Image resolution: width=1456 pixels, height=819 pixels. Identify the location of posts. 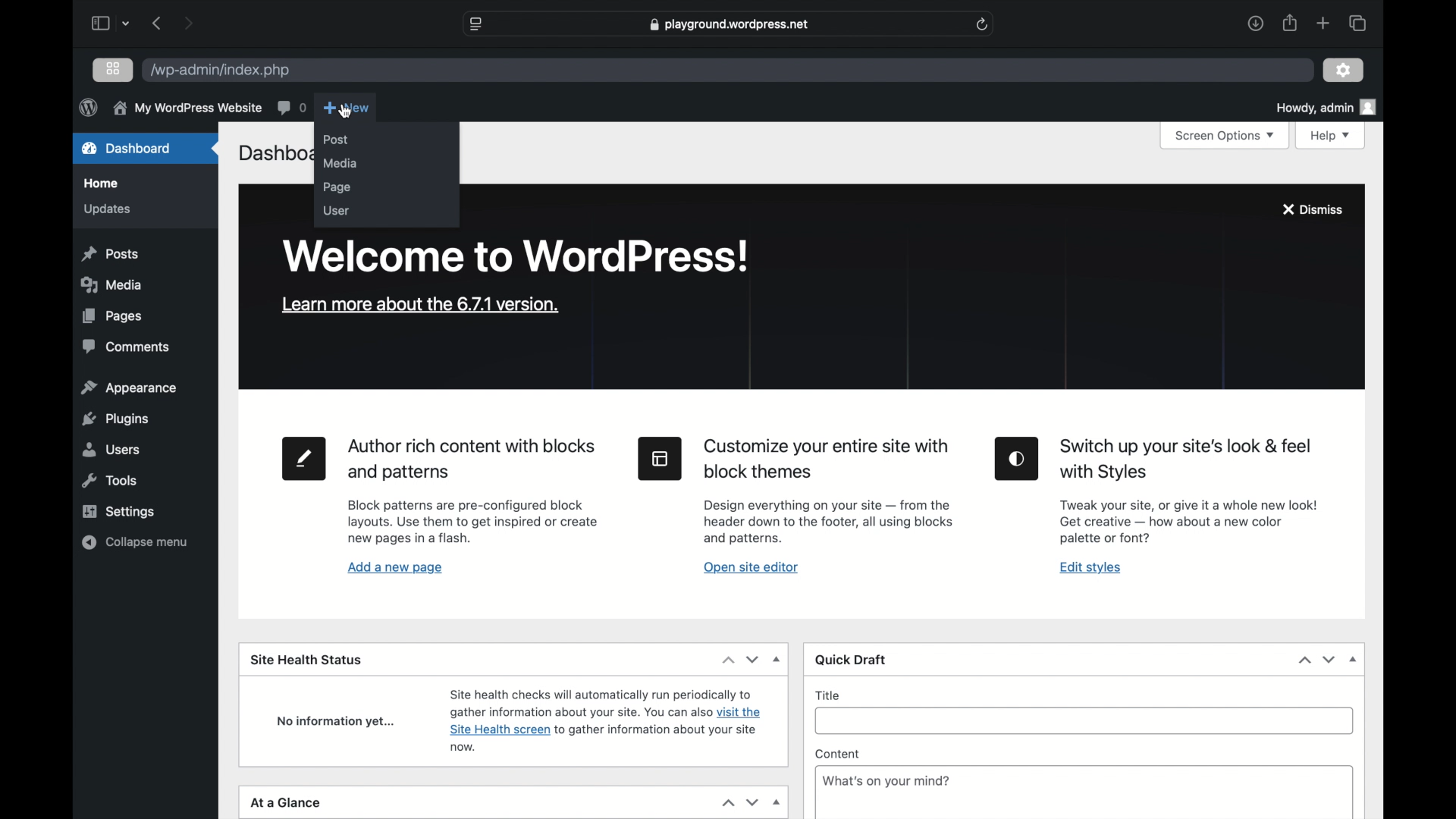
(109, 253).